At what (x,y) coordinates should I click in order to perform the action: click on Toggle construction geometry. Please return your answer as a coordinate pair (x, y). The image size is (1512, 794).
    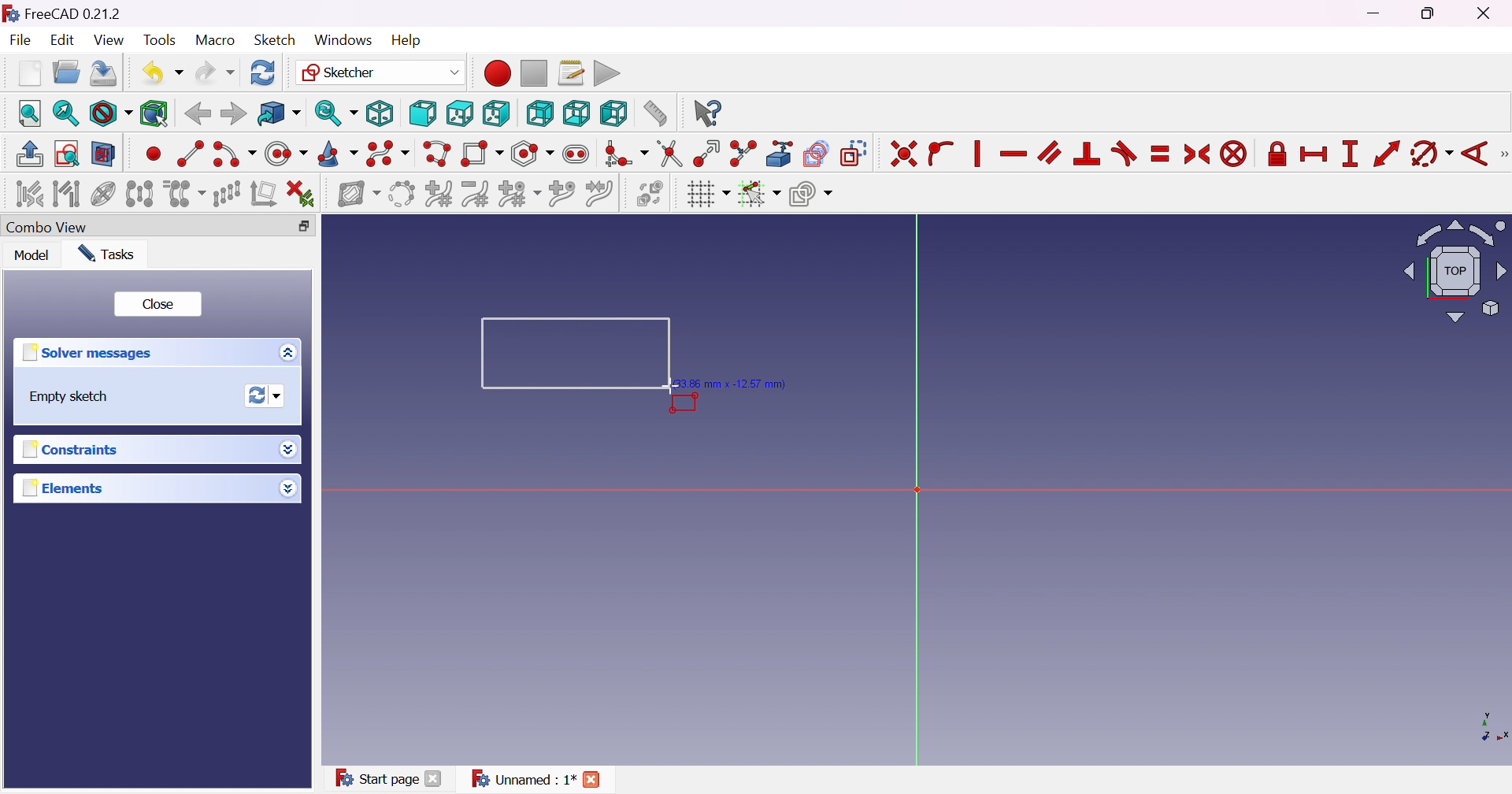
    Looking at the image, I should click on (855, 154).